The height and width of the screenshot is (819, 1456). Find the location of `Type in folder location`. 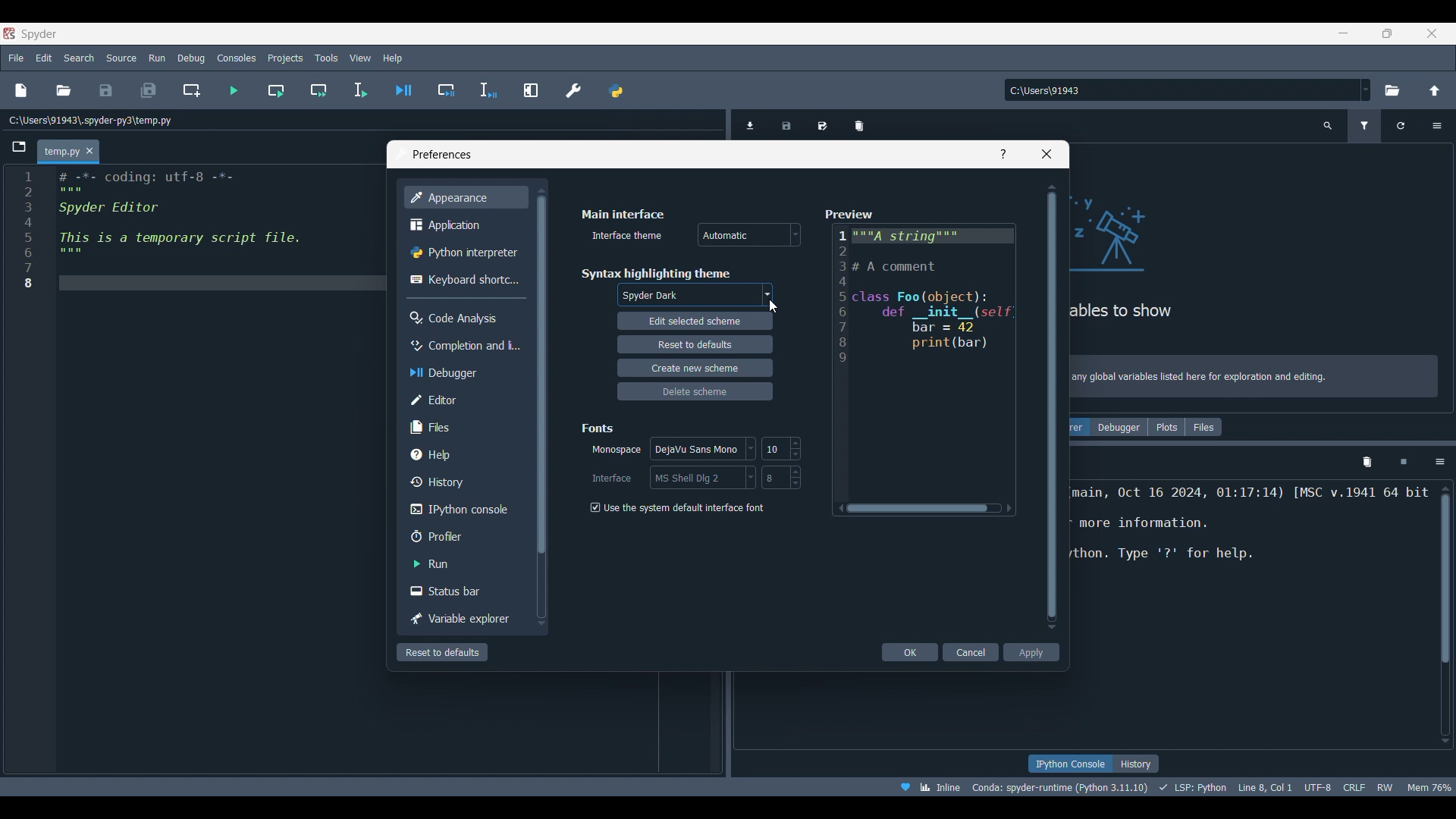

Type in folder location is located at coordinates (1181, 90).